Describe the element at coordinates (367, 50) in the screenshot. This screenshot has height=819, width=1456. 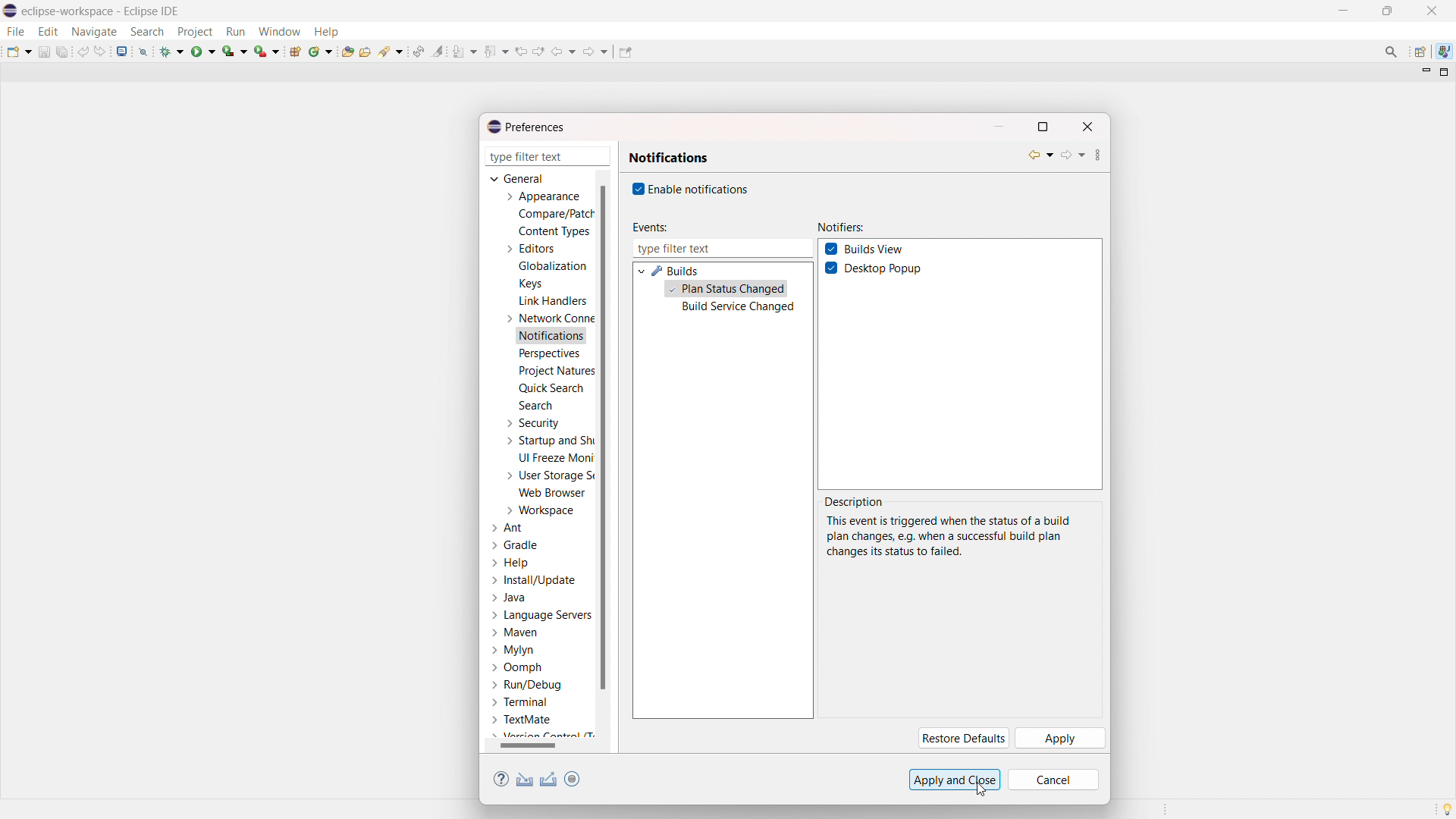
I see `open task` at that location.